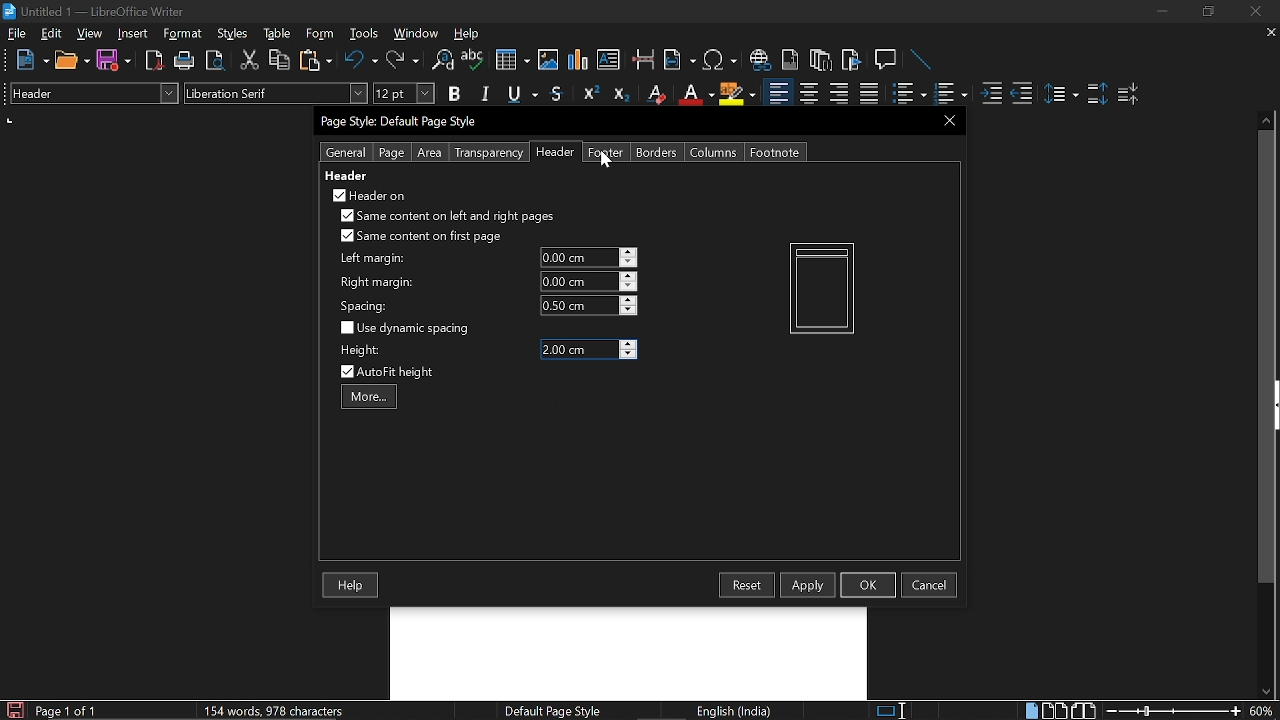 The image size is (1280, 720). I want to click on Open, so click(72, 61).